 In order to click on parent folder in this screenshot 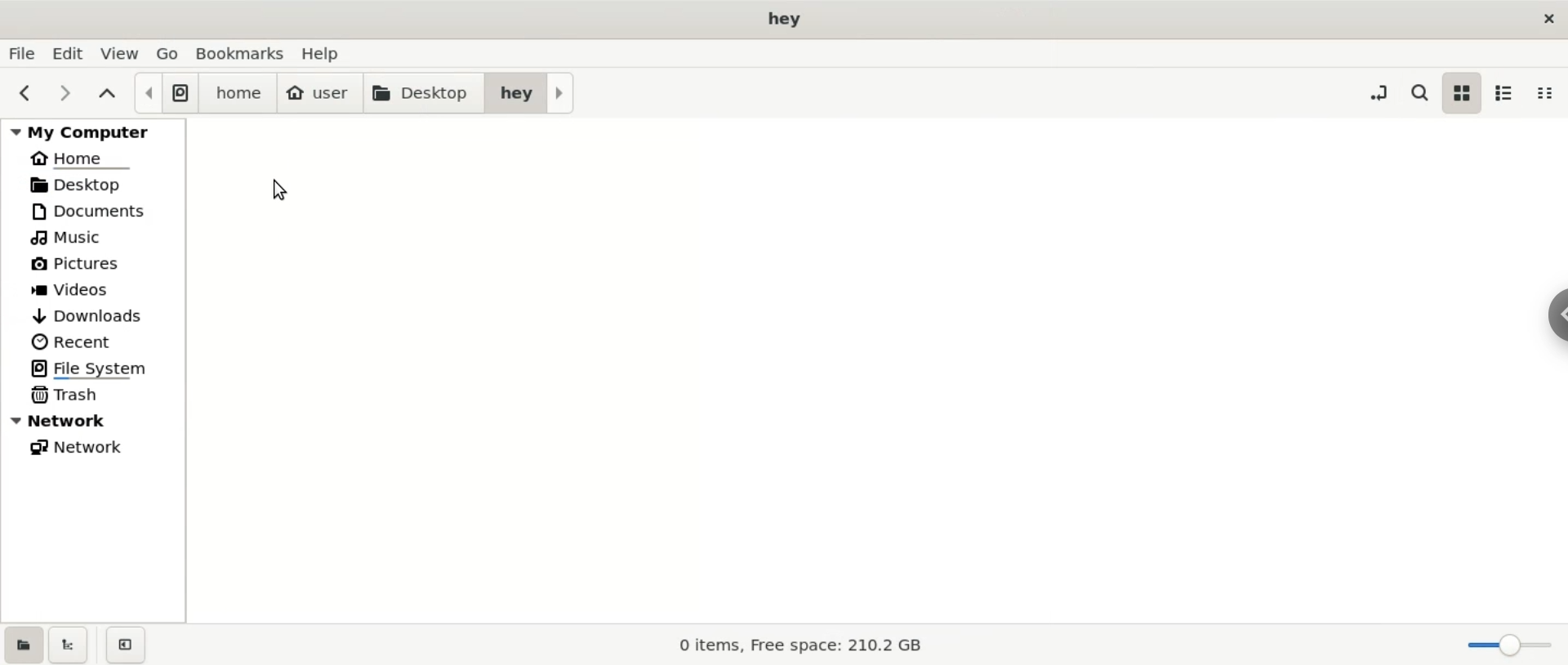, I will do `click(109, 95)`.